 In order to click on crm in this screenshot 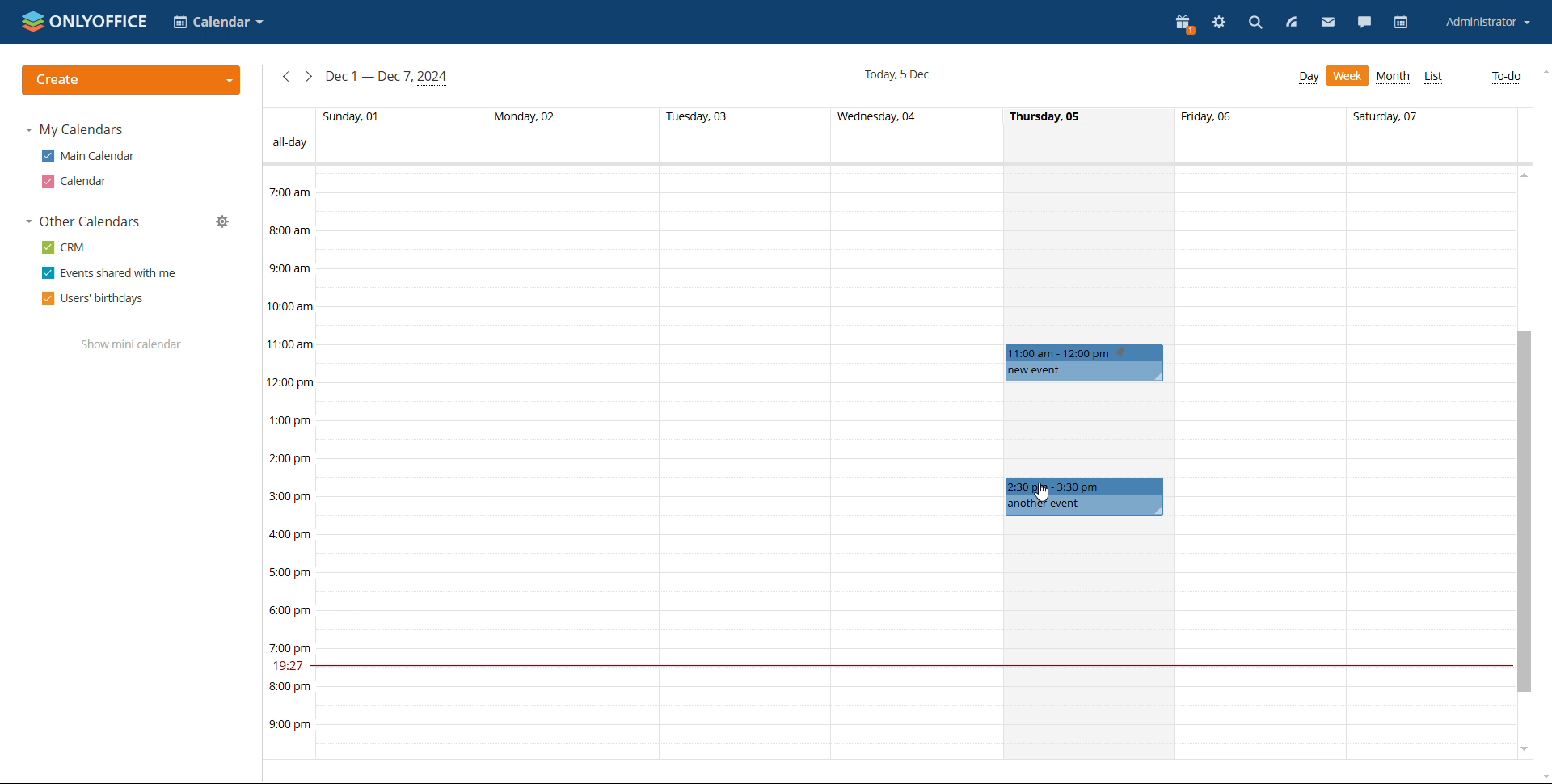, I will do `click(62, 247)`.